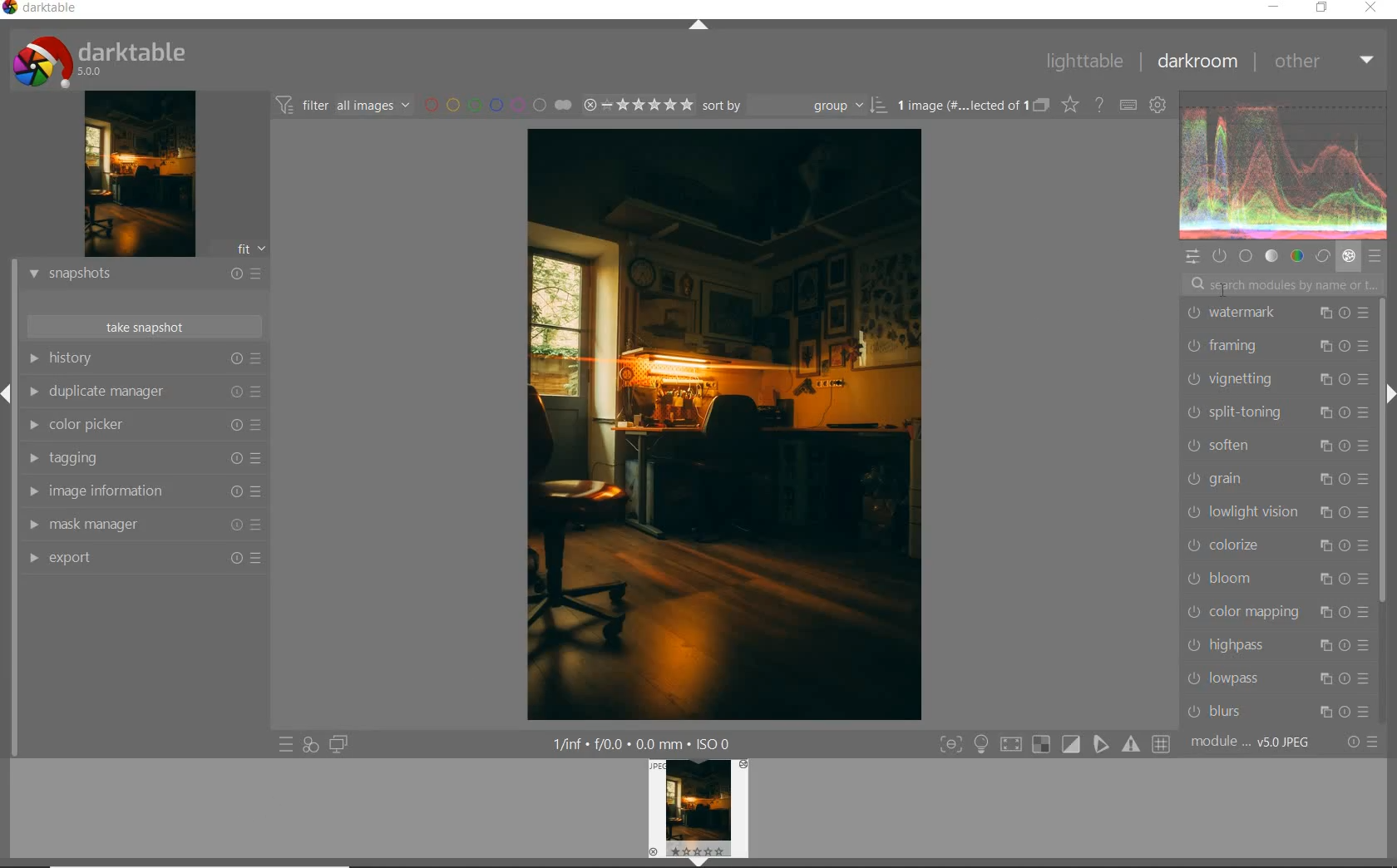 The width and height of the screenshot is (1397, 868). What do you see at coordinates (1271, 255) in the screenshot?
I see `tone` at bounding box center [1271, 255].